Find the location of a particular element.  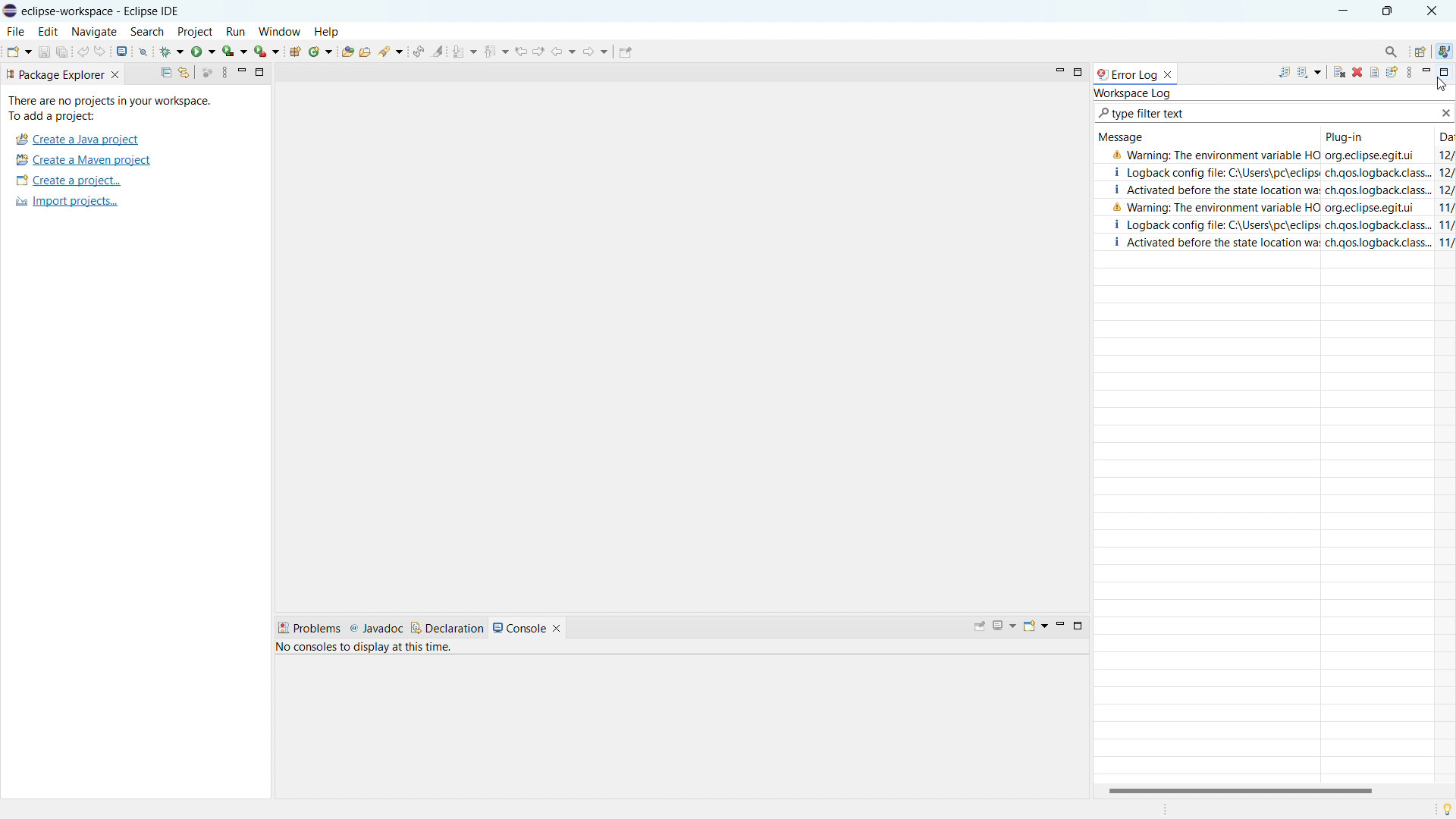

run last tool is located at coordinates (266, 52).